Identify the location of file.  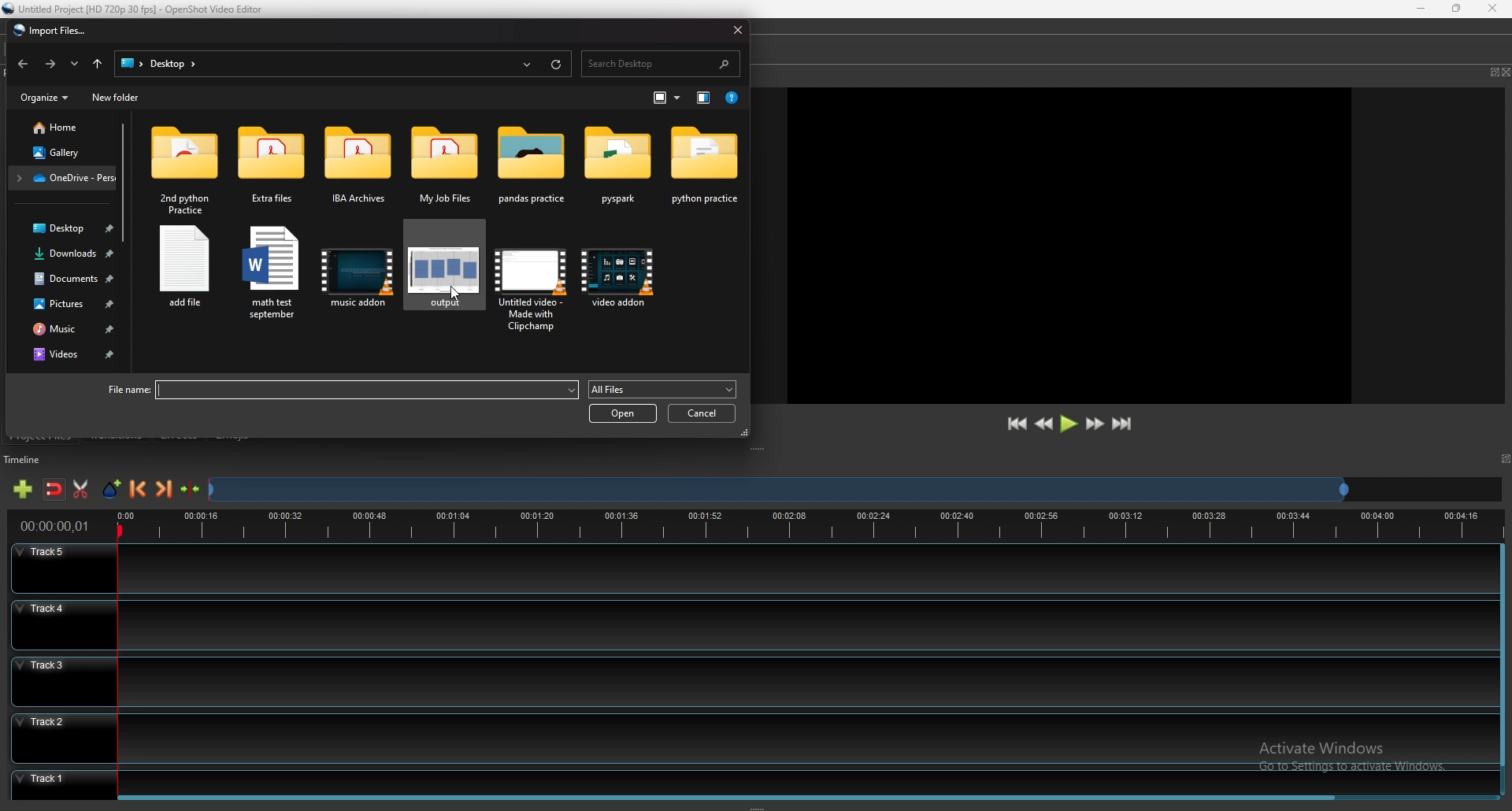
(271, 275).